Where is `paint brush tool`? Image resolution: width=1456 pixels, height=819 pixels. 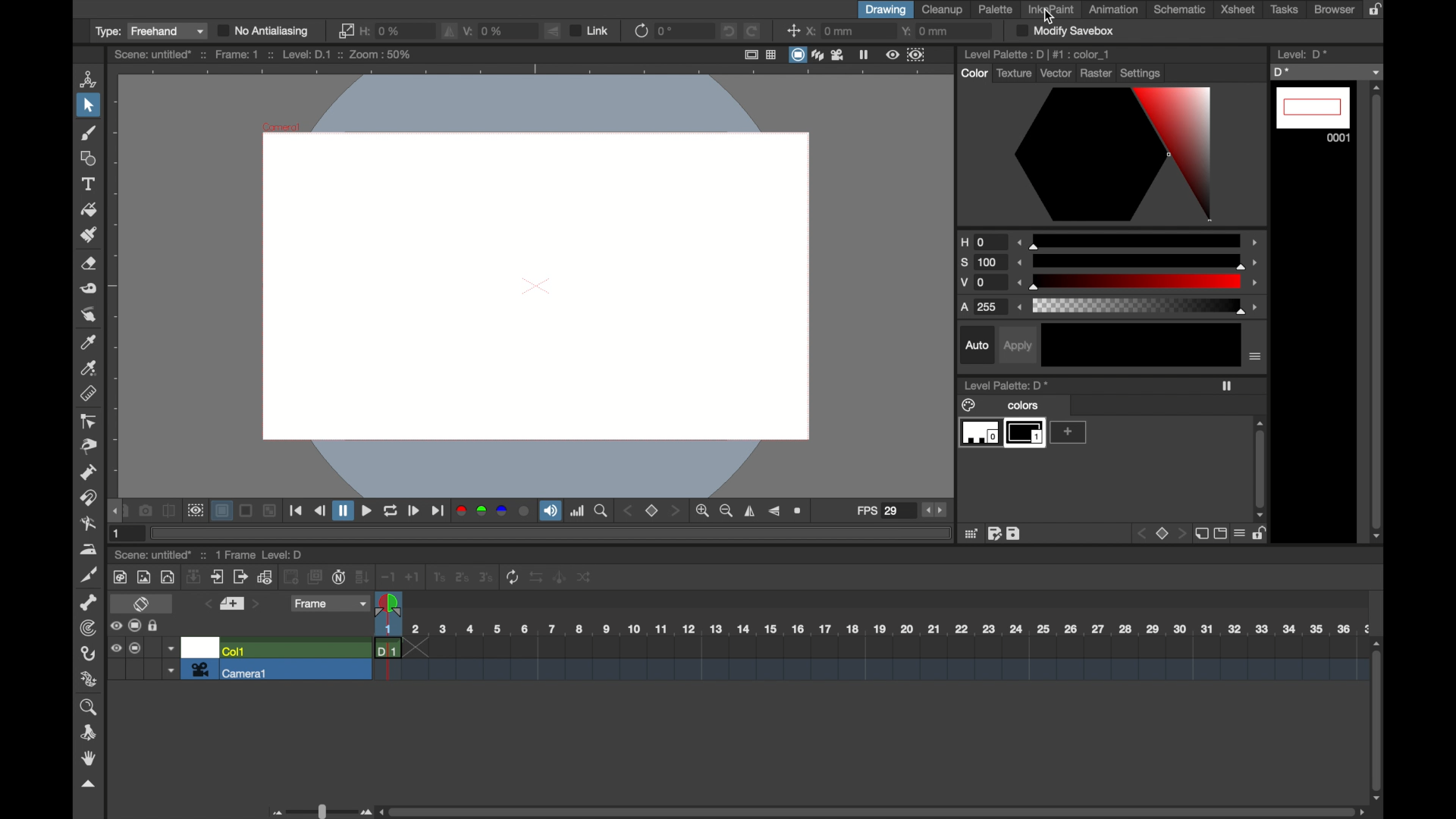 paint brush tool is located at coordinates (86, 133).